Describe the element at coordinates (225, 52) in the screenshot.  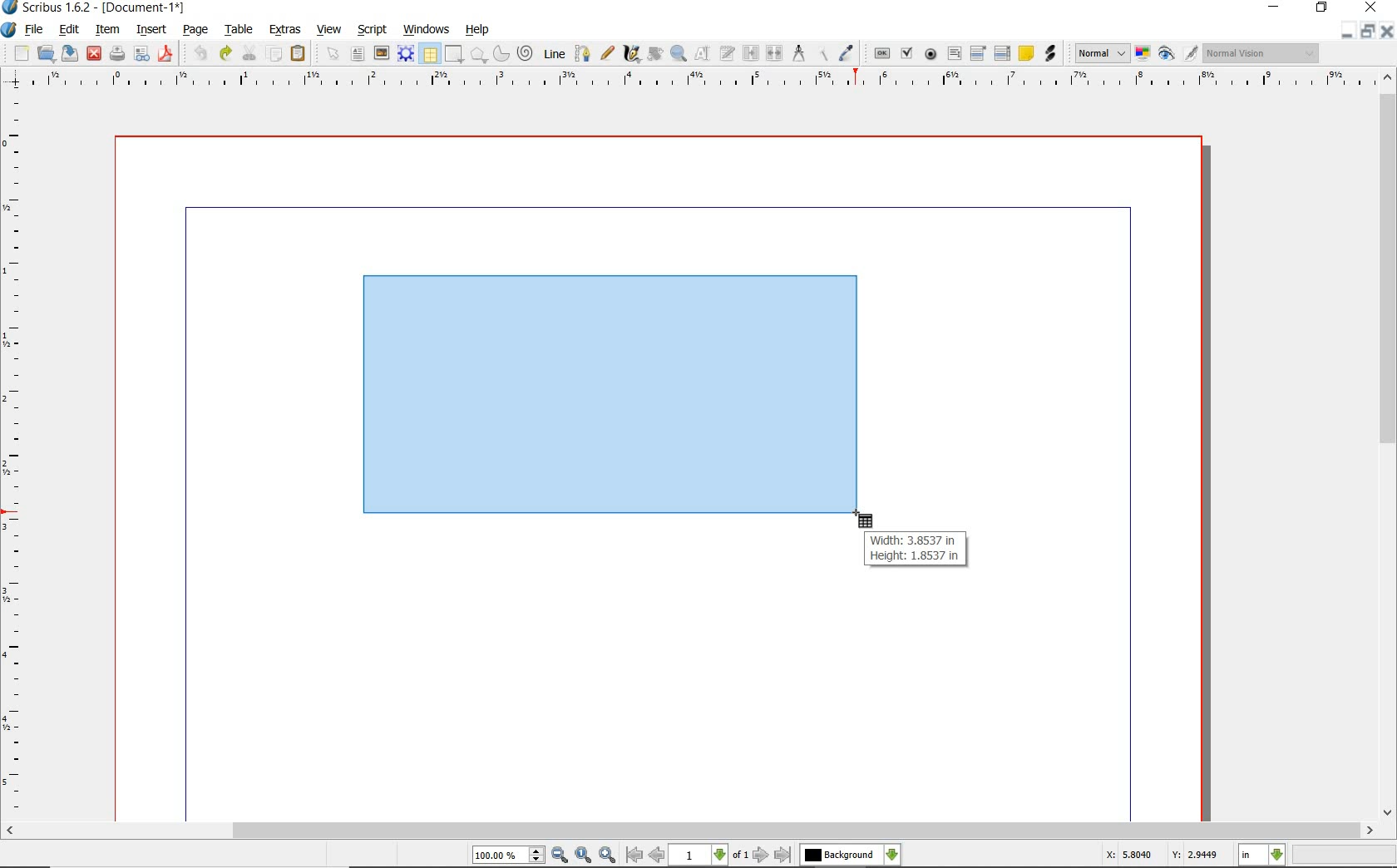
I see `redo` at that location.